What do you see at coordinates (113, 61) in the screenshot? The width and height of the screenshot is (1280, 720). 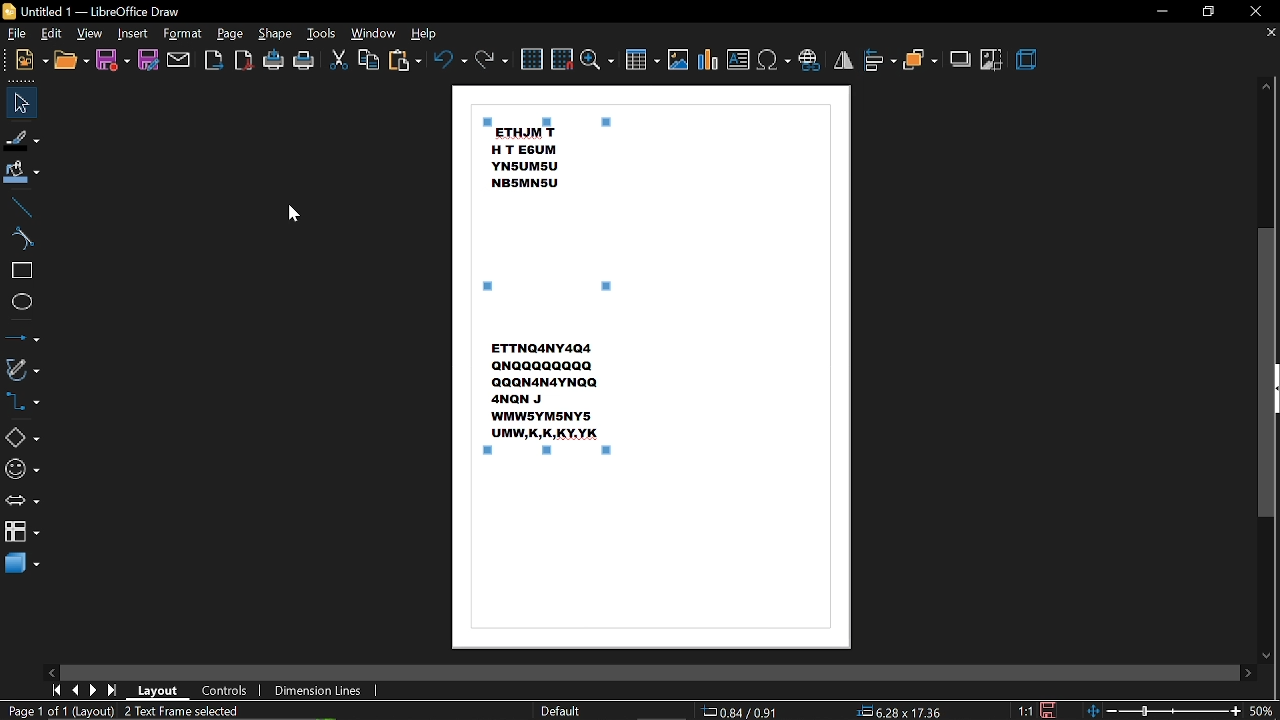 I see `save ` at bounding box center [113, 61].